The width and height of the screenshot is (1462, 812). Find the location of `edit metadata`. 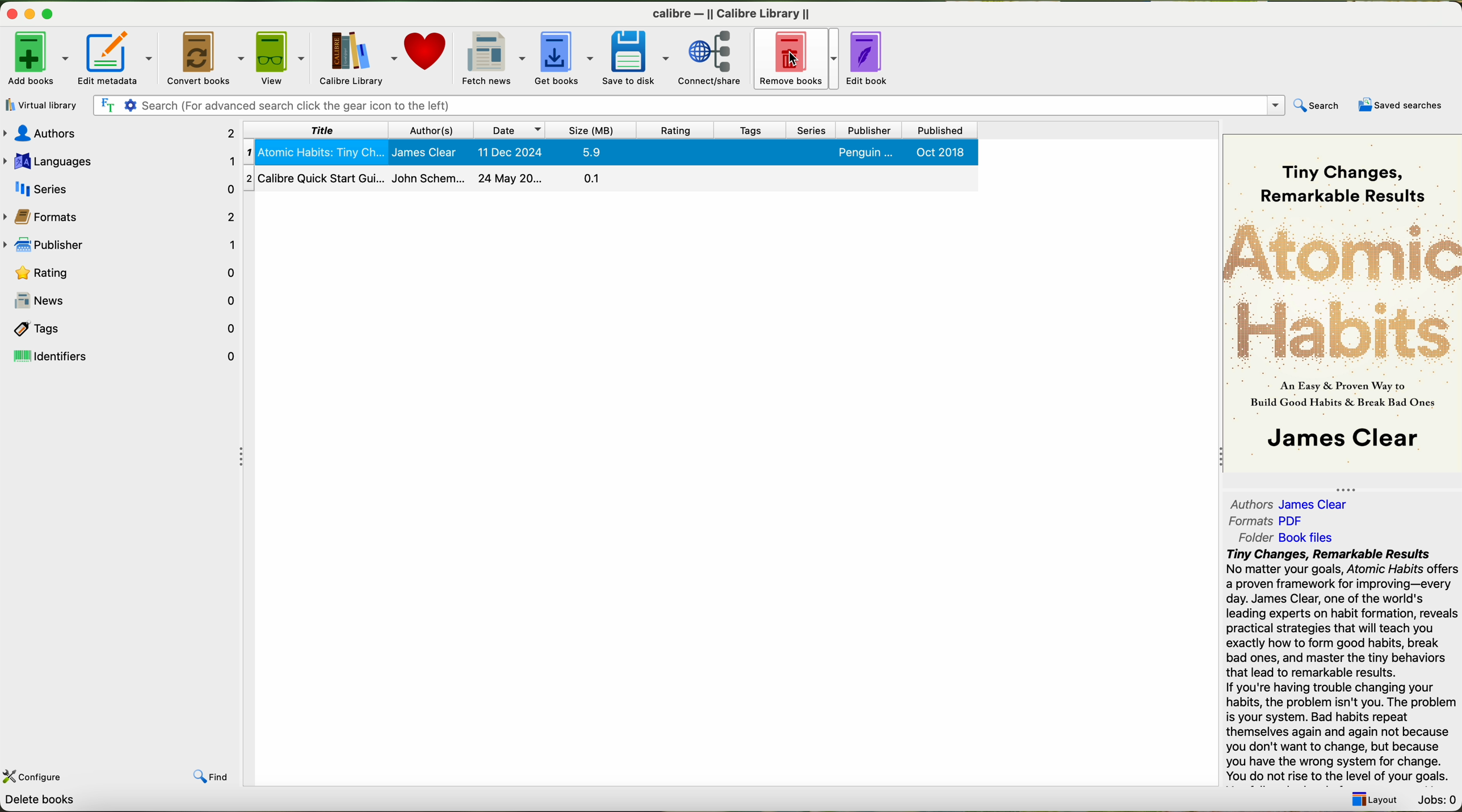

edit metadata is located at coordinates (114, 58).